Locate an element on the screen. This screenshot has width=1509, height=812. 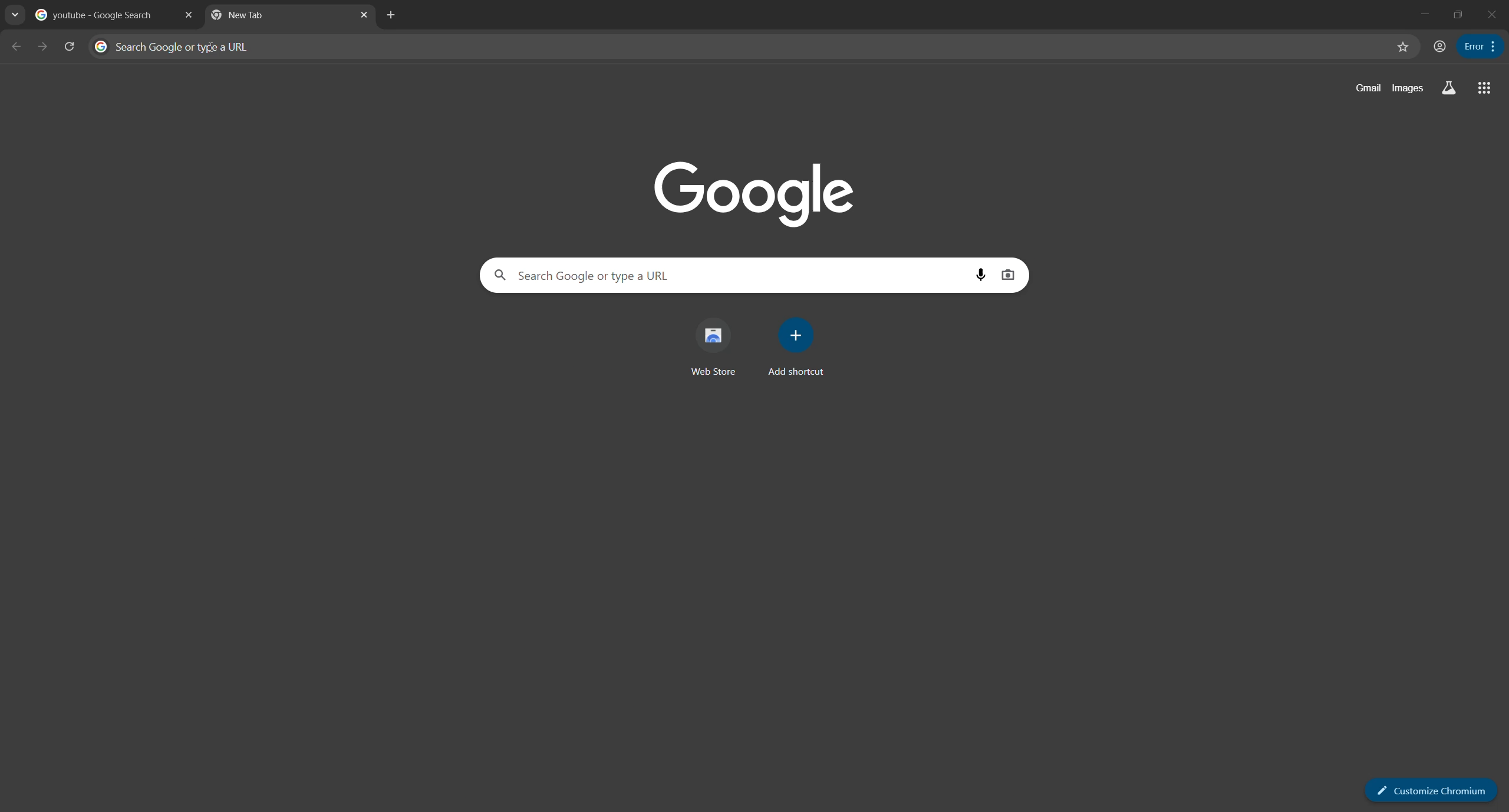
more apps is located at coordinates (1482, 89).